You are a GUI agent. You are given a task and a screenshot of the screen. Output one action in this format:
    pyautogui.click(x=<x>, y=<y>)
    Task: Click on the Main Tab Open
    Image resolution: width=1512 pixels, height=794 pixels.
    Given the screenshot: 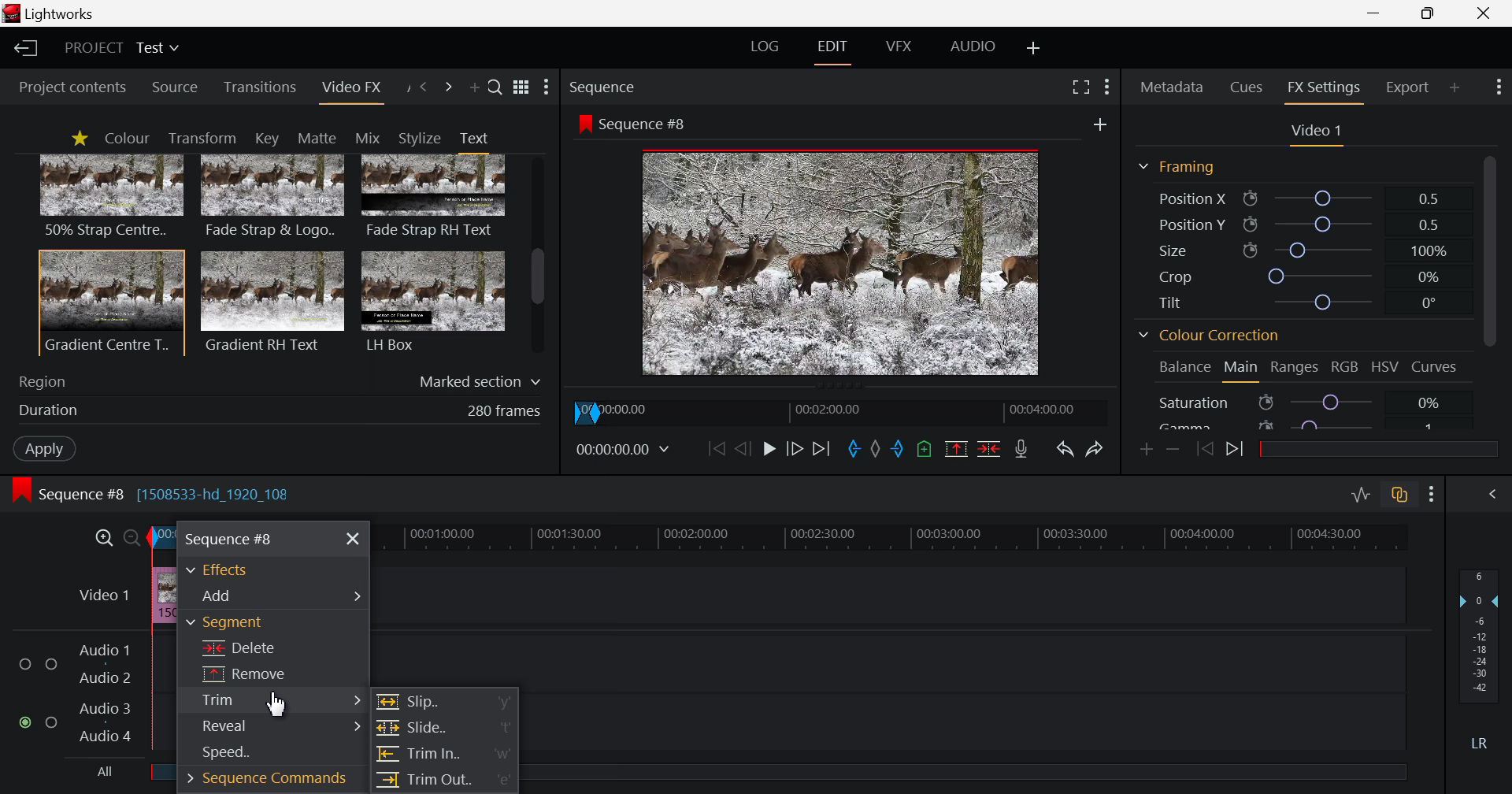 What is the action you would take?
    pyautogui.click(x=1242, y=369)
    